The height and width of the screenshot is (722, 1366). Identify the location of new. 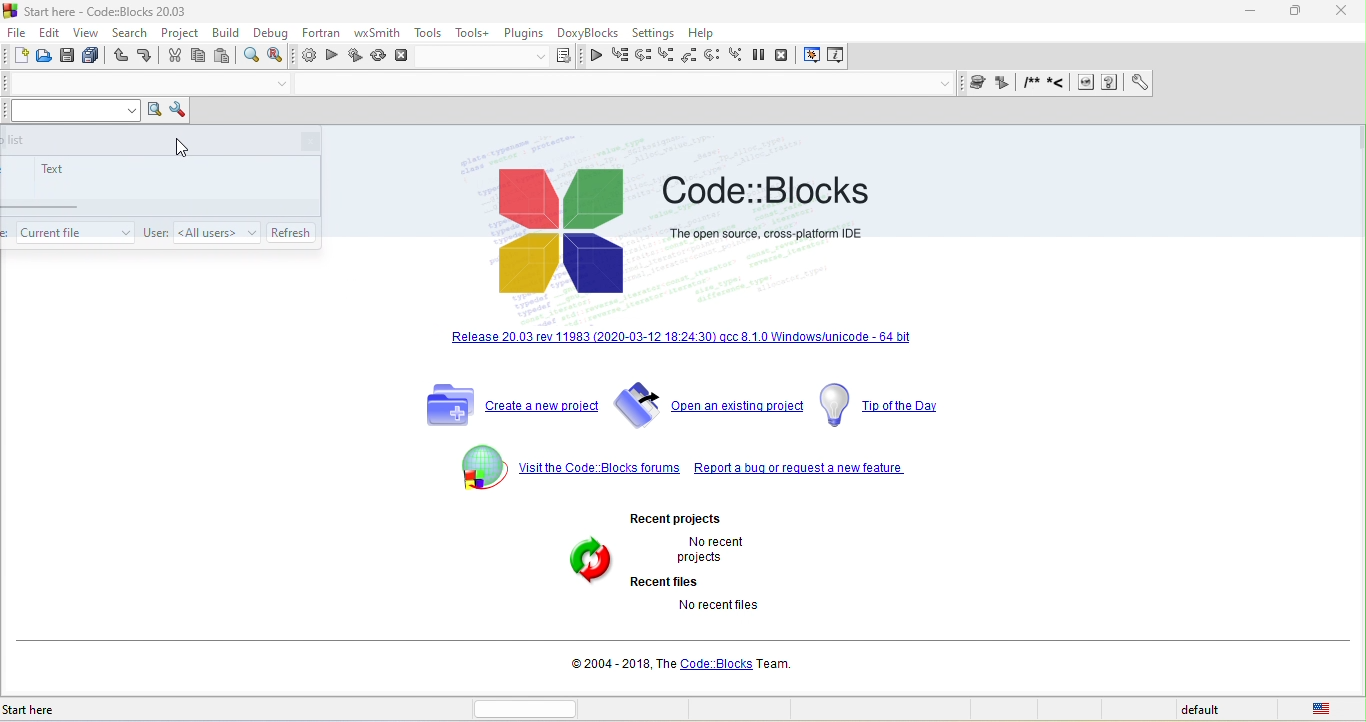
(19, 56).